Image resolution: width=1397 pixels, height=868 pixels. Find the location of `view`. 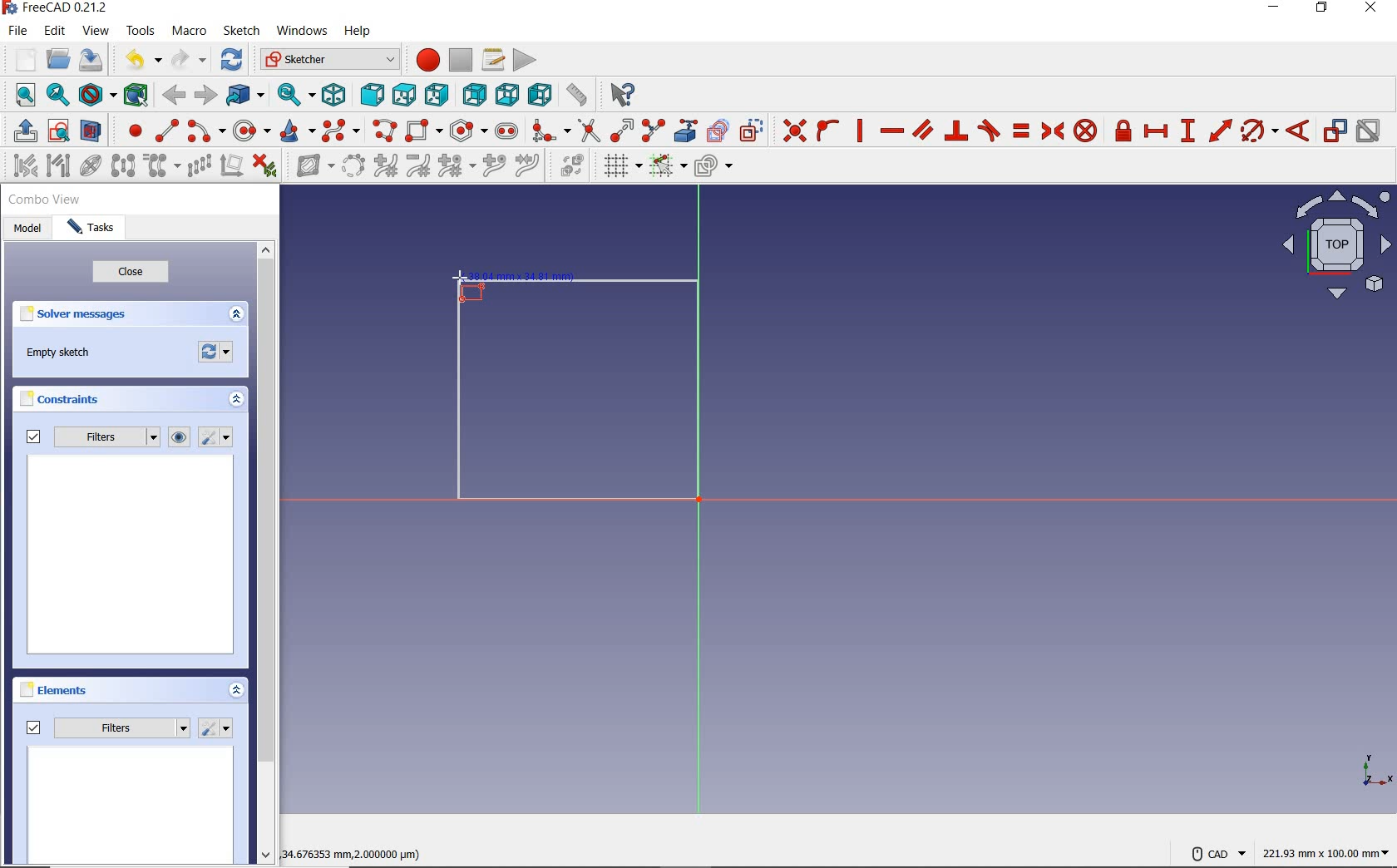

view is located at coordinates (96, 31).